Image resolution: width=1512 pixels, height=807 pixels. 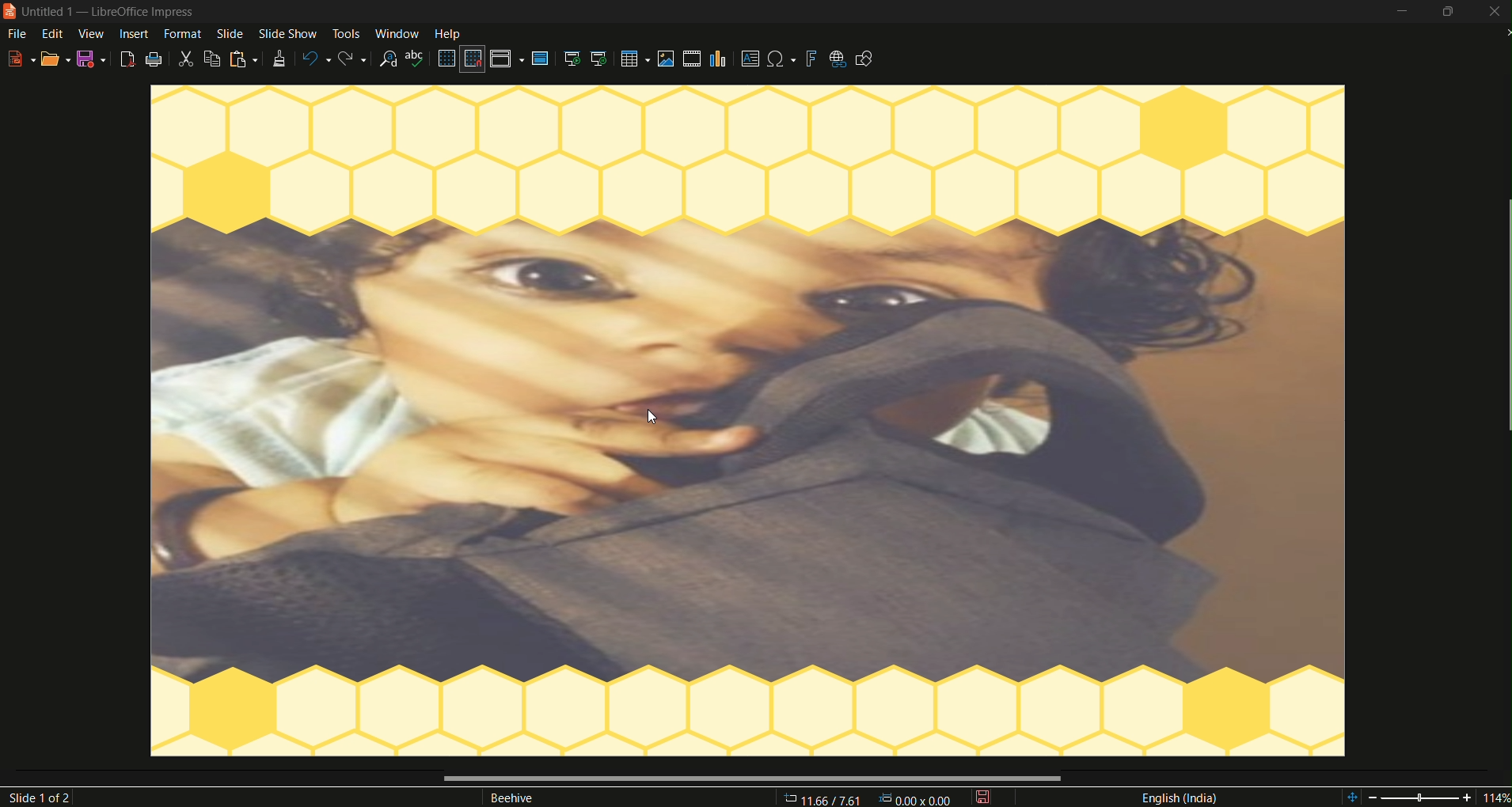 I want to click on insert, so click(x=133, y=33).